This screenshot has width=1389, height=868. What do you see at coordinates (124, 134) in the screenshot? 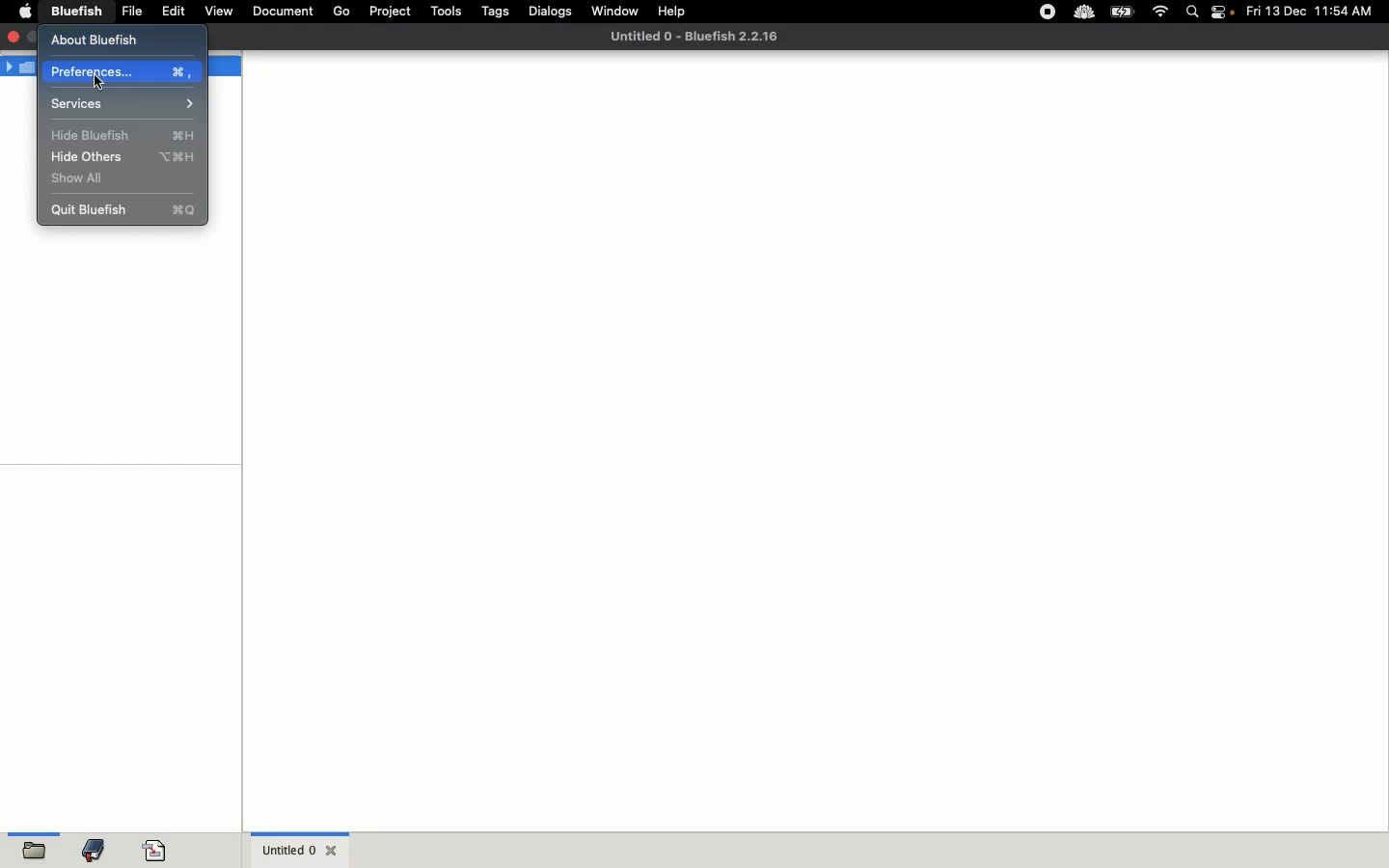
I see `Hide bluefish` at bounding box center [124, 134].